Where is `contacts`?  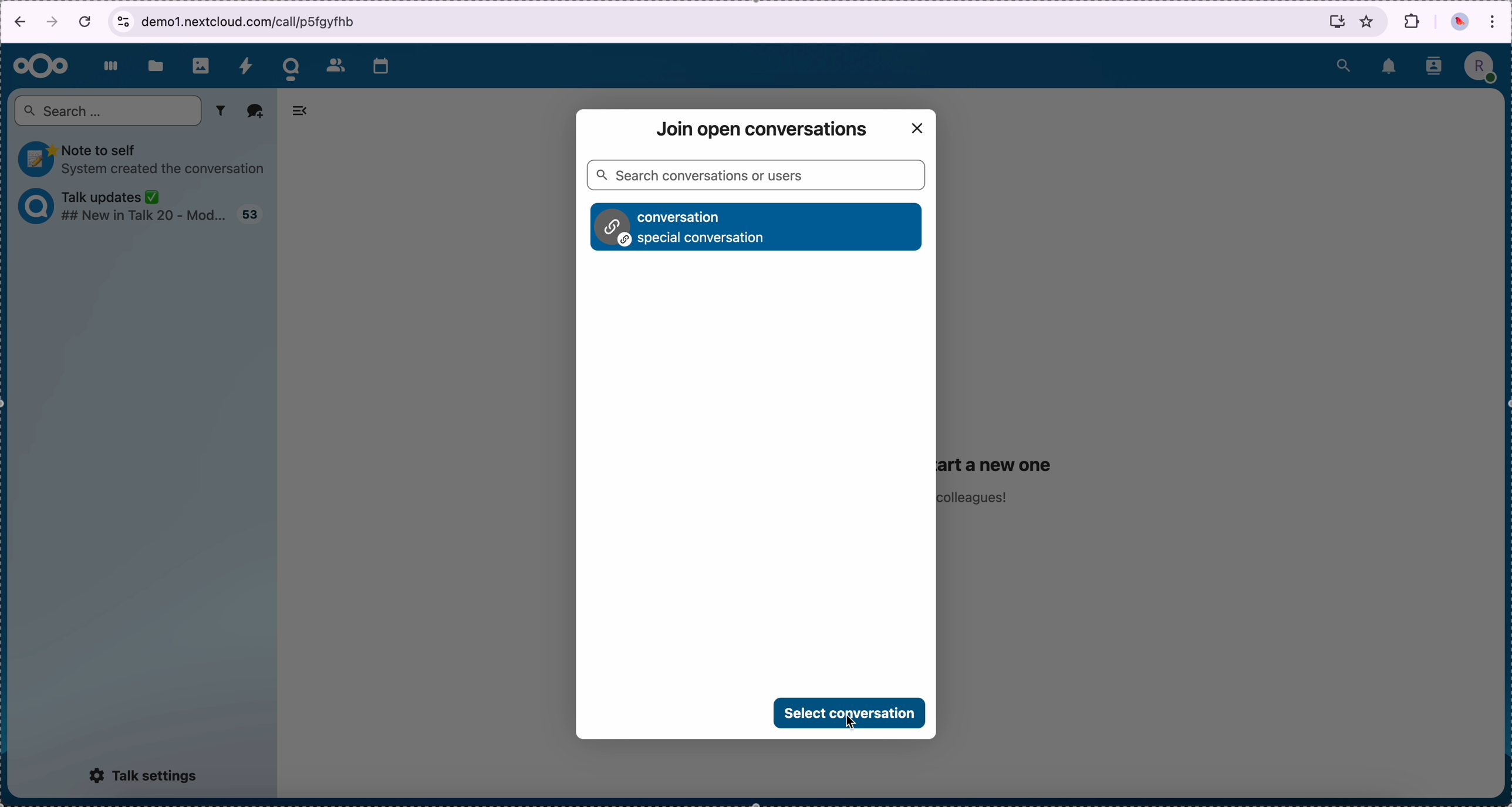 contacts is located at coordinates (1433, 66).